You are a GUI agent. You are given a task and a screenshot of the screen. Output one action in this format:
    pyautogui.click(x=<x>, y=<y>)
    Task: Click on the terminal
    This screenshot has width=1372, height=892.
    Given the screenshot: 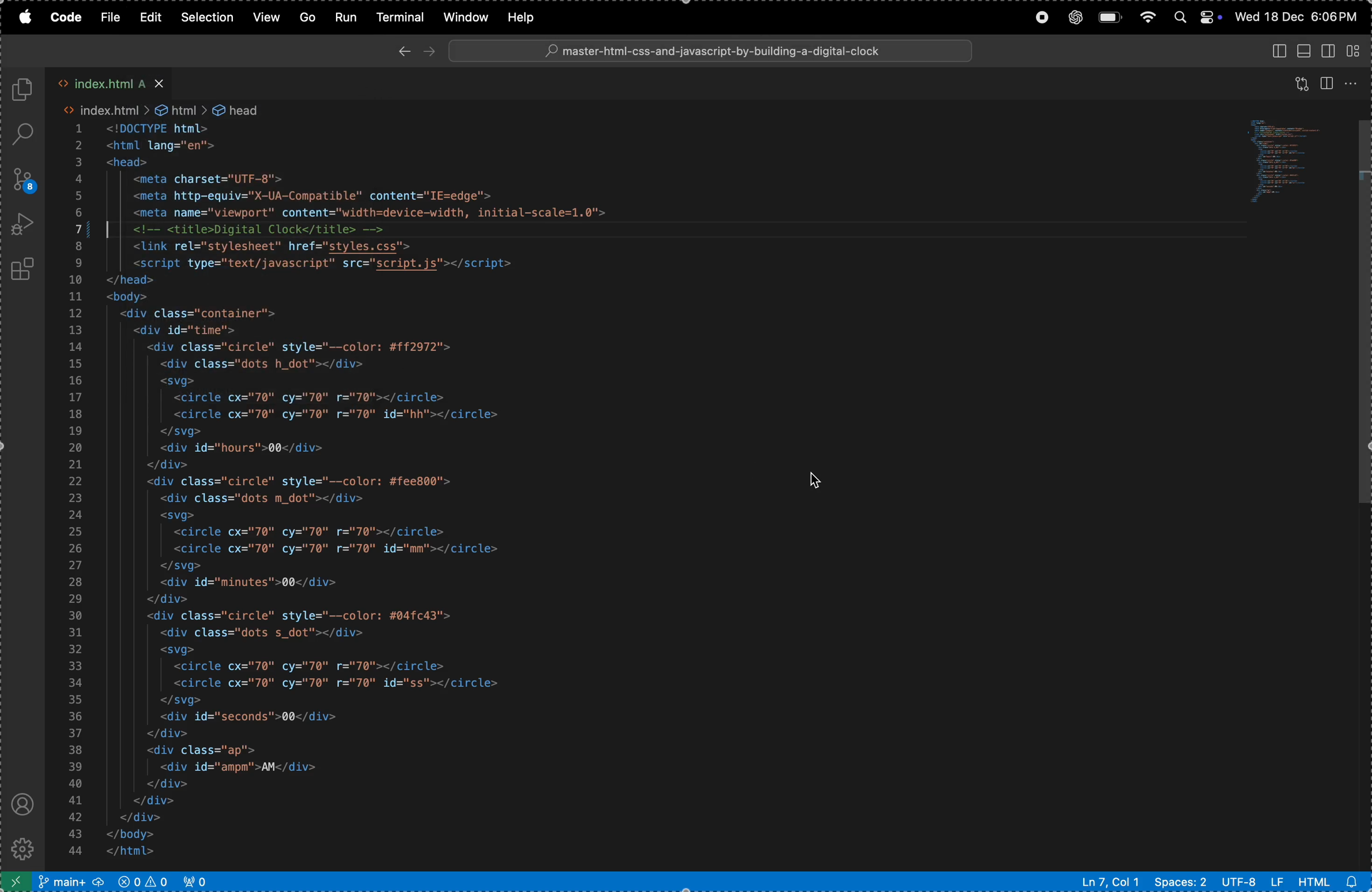 What is the action you would take?
    pyautogui.click(x=400, y=17)
    